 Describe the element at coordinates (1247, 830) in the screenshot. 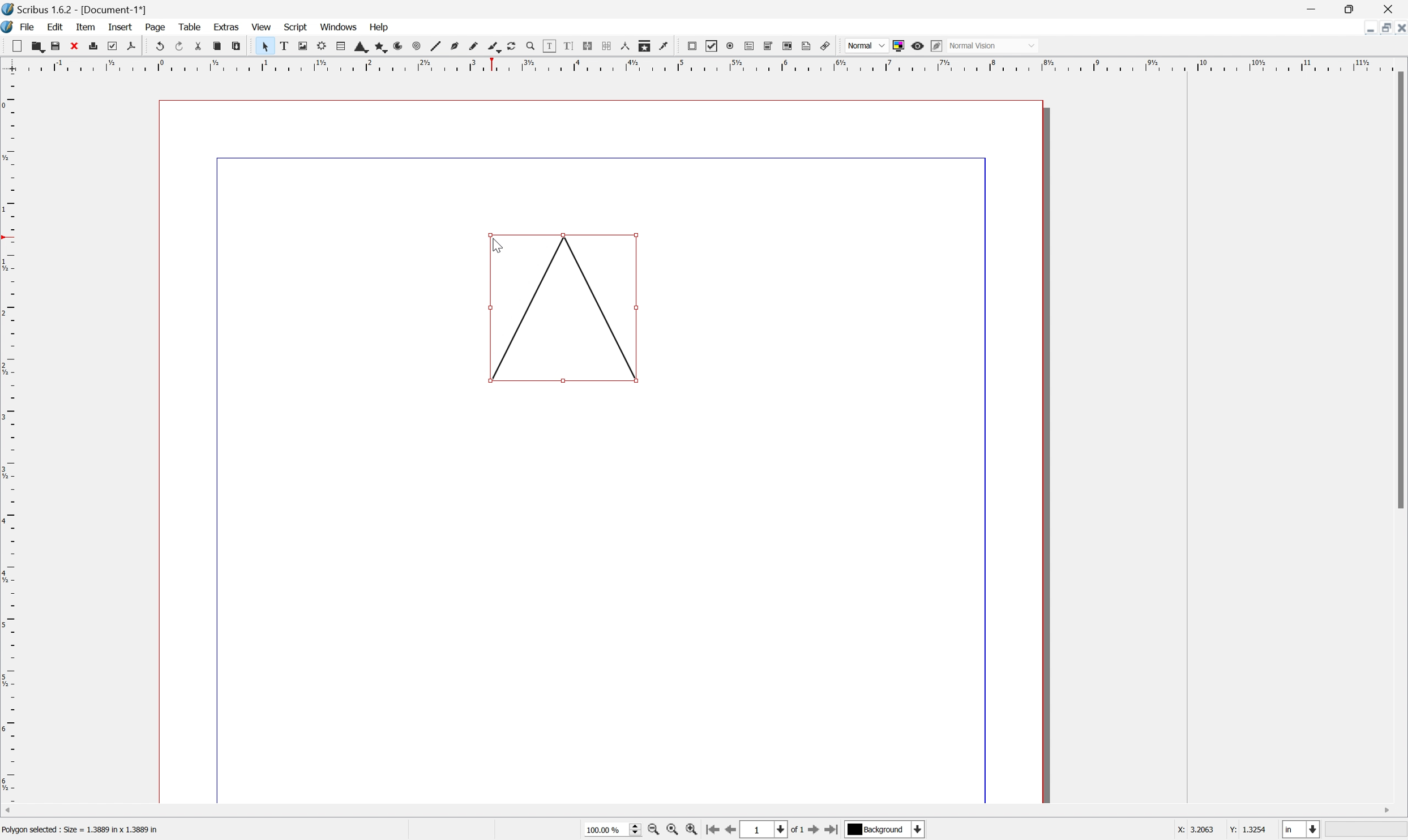

I see `Y: 1.3254` at that location.